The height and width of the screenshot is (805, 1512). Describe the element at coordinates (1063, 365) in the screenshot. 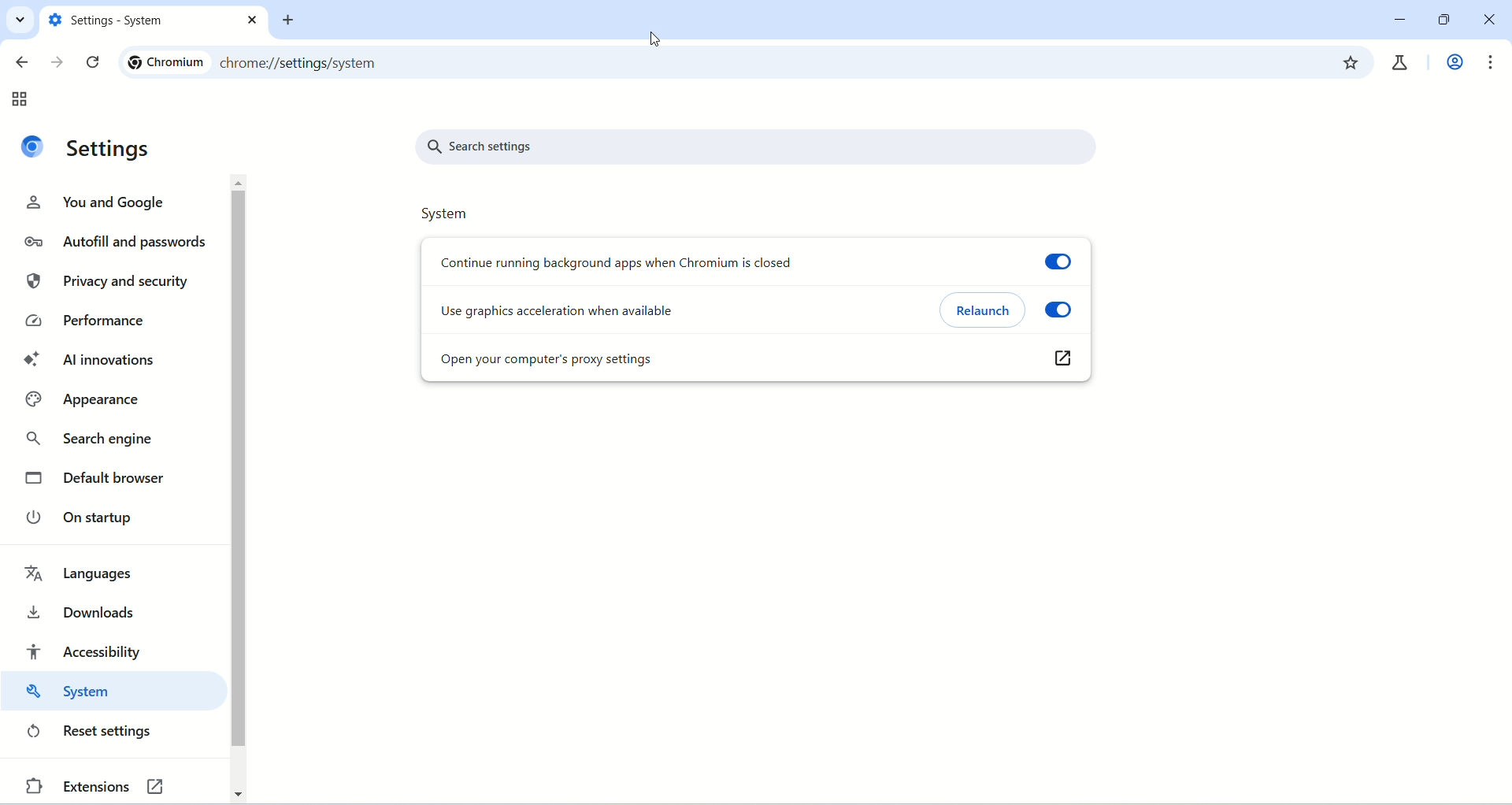

I see `link` at that location.